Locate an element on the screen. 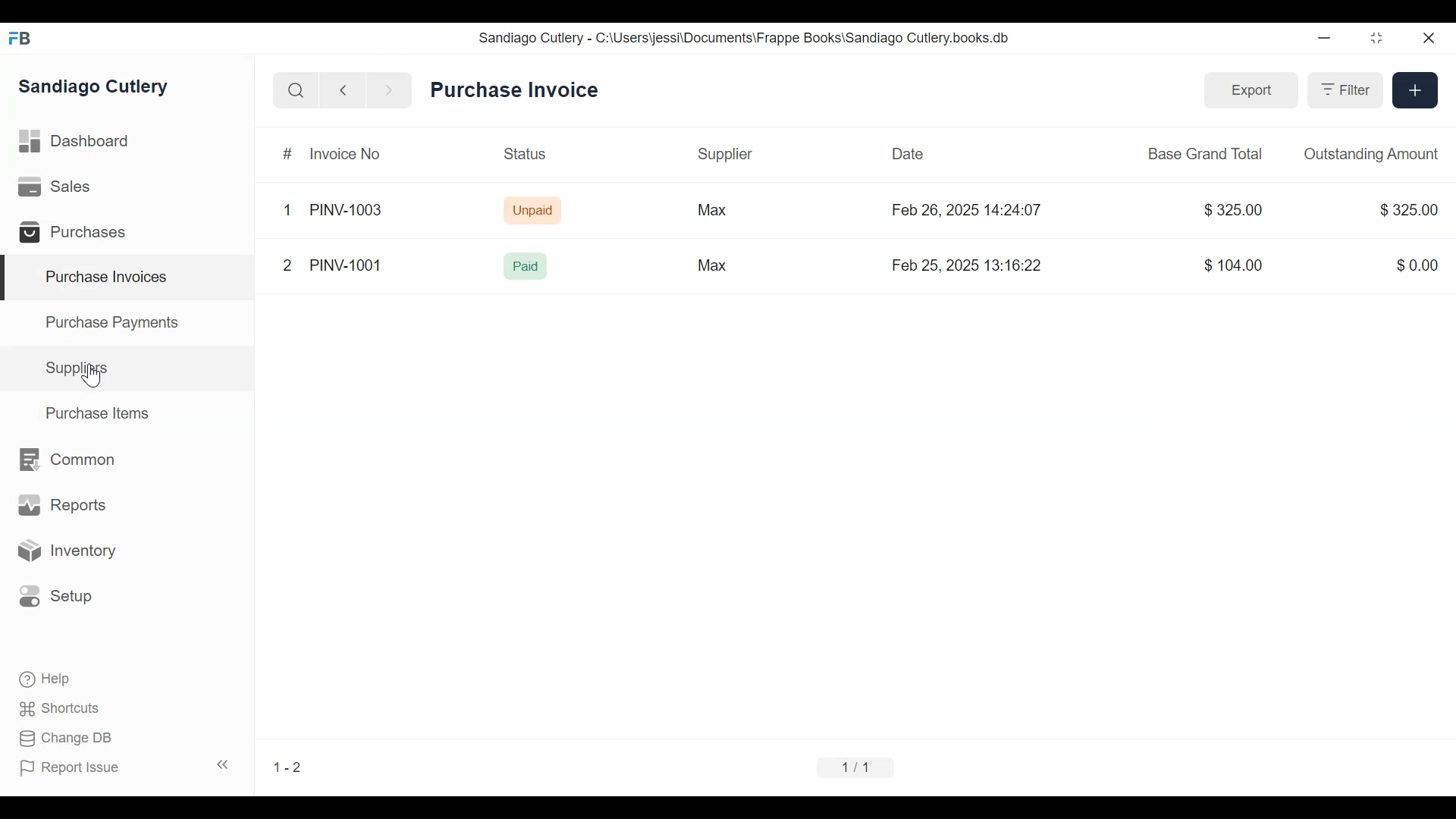 This screenshot has width=1456, height=819. Feb 26, 2025 14:24:07 is located at coordinates (974, 209).